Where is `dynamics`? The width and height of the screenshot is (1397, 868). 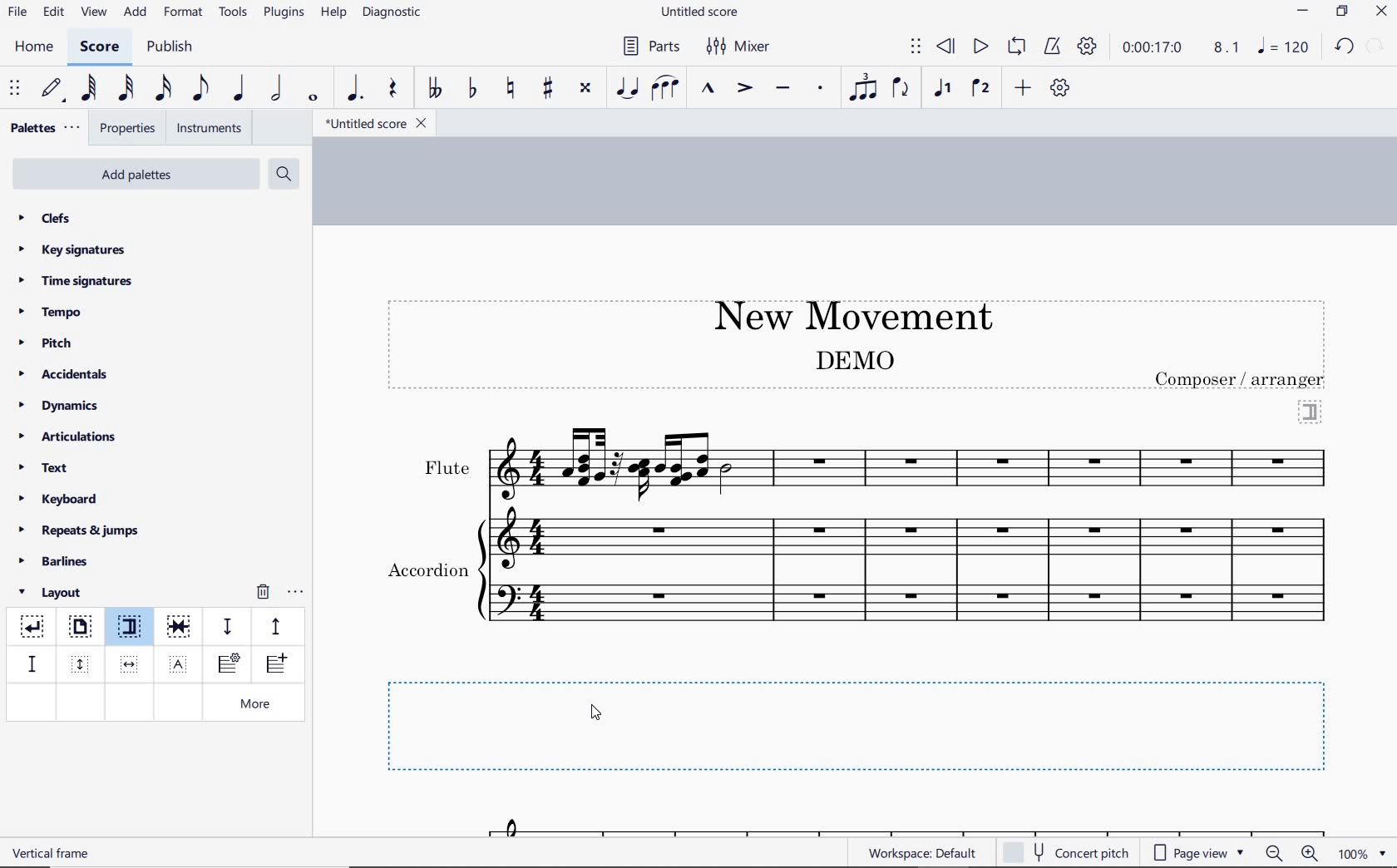
dynamics is located at coordinates (63, 406).